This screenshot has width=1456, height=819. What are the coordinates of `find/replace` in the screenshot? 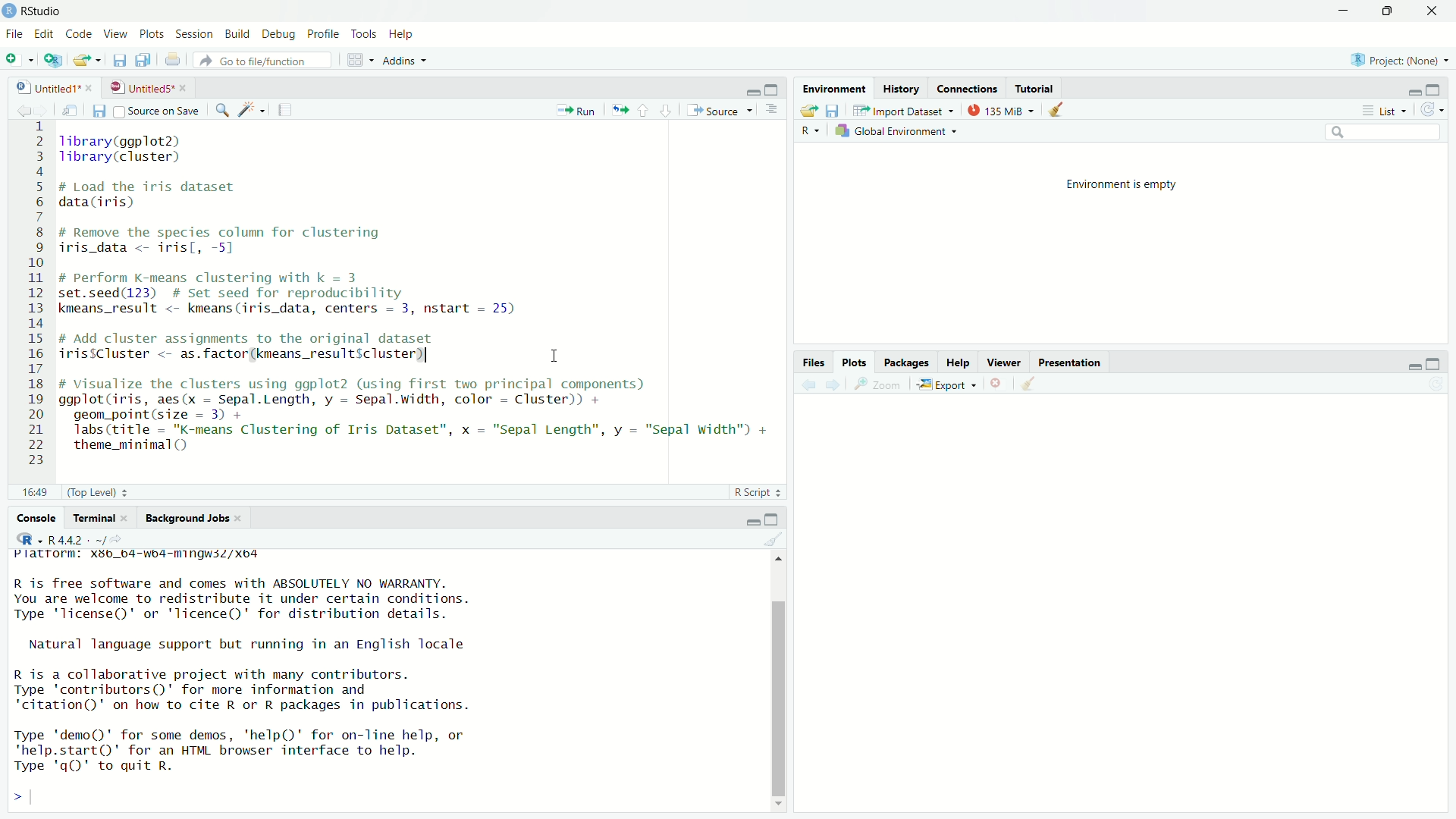 It's located at (218, 110).